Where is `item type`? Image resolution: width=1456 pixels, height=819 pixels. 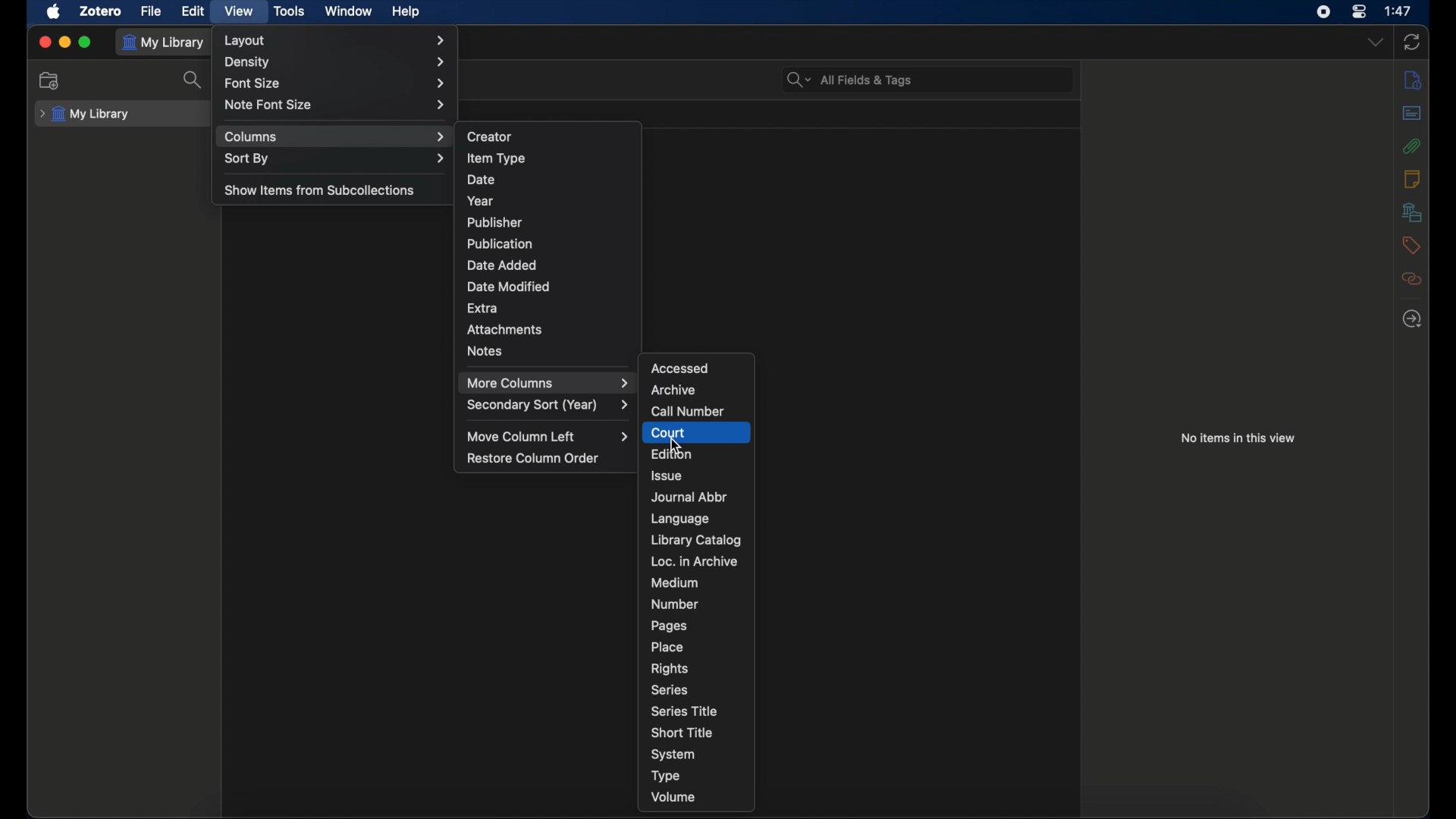
item type is located at coordinates (497, 158).